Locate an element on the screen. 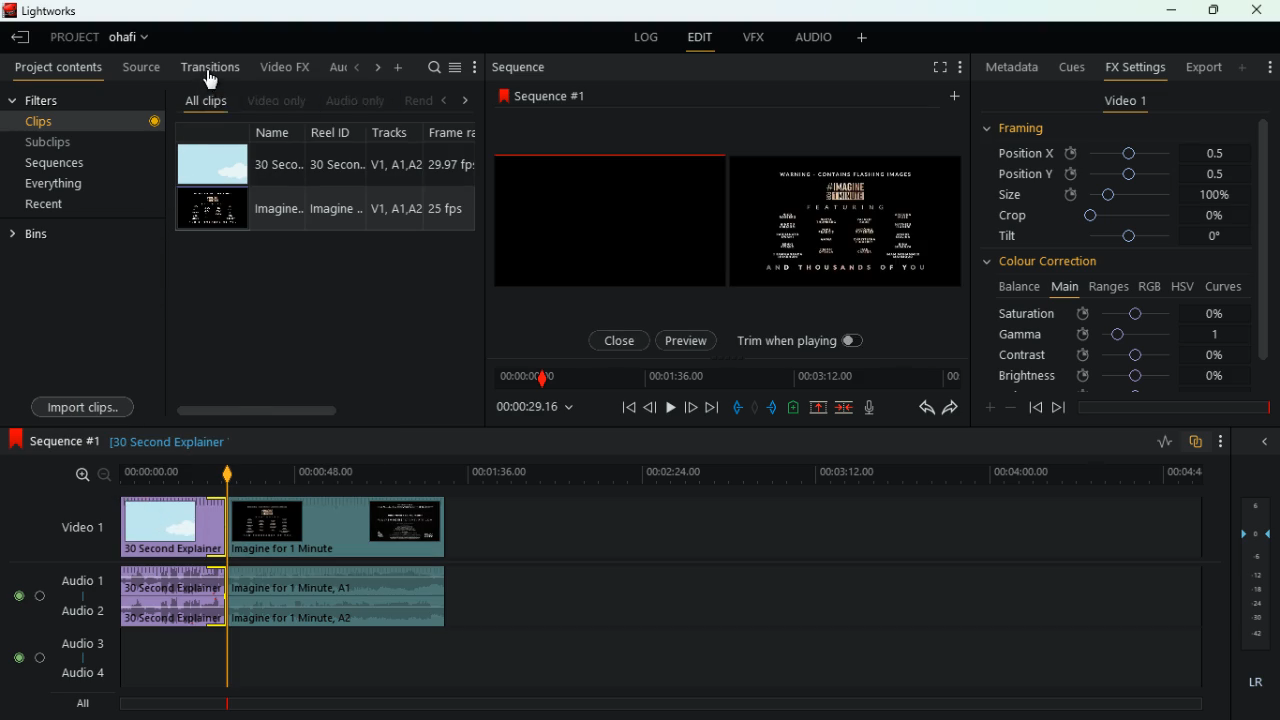 The height and width of the screenshot is (720, 1280). close is located at coordinates (1258, 10).